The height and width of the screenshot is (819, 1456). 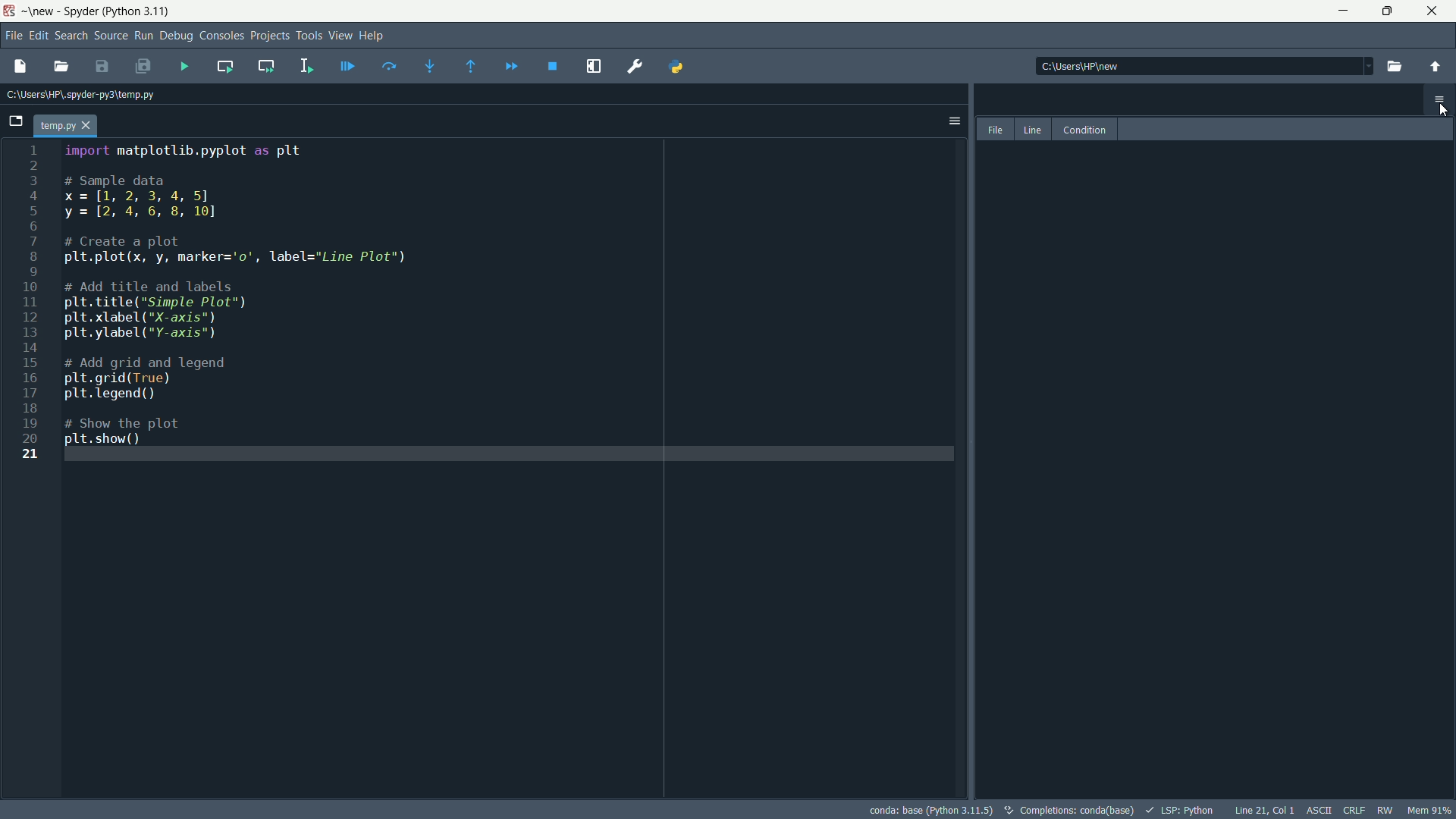 I want to click on maximize current pane, so click(x=596, y=66).